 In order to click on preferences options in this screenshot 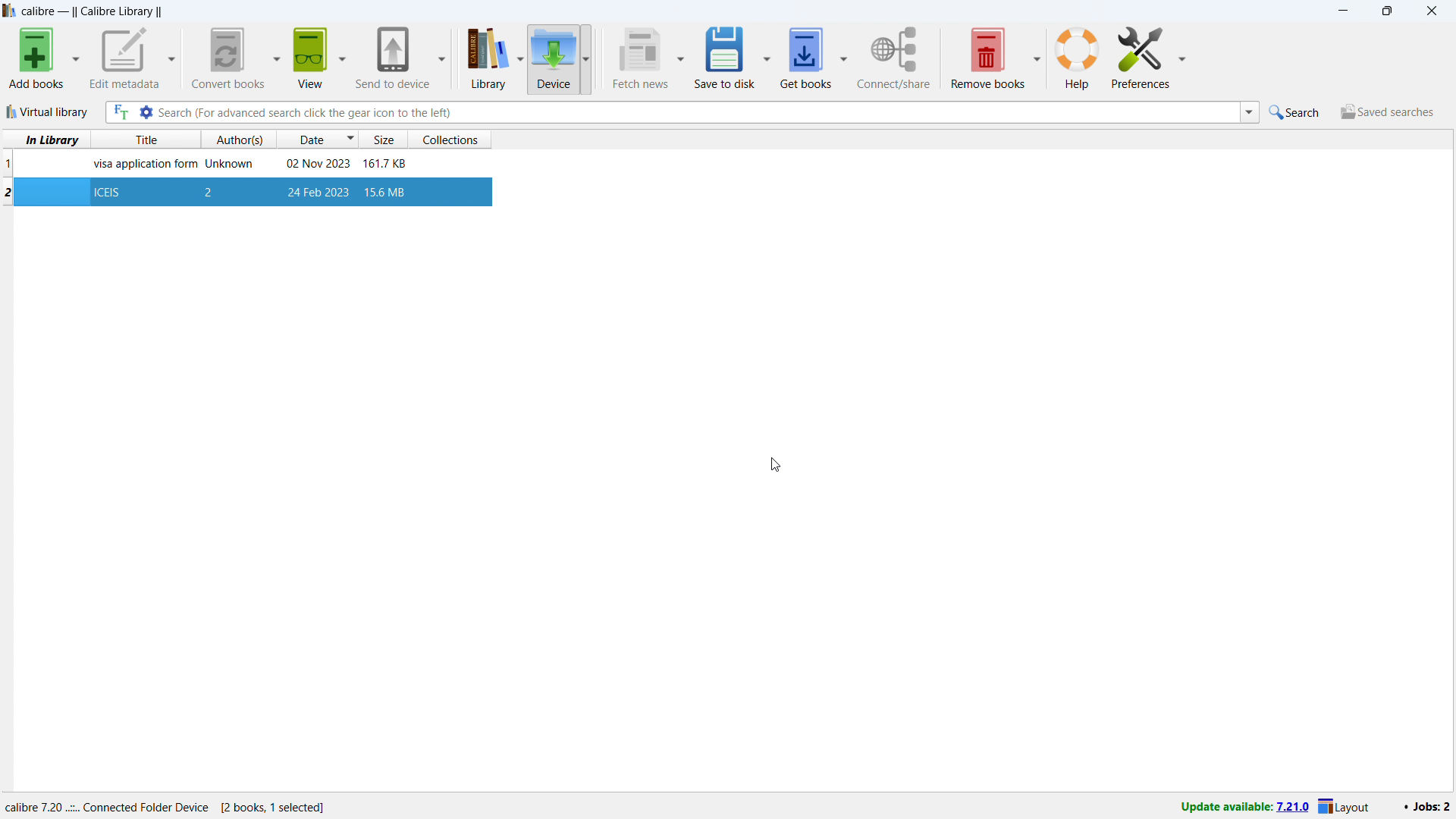, I will do `click(1181, 55)`.